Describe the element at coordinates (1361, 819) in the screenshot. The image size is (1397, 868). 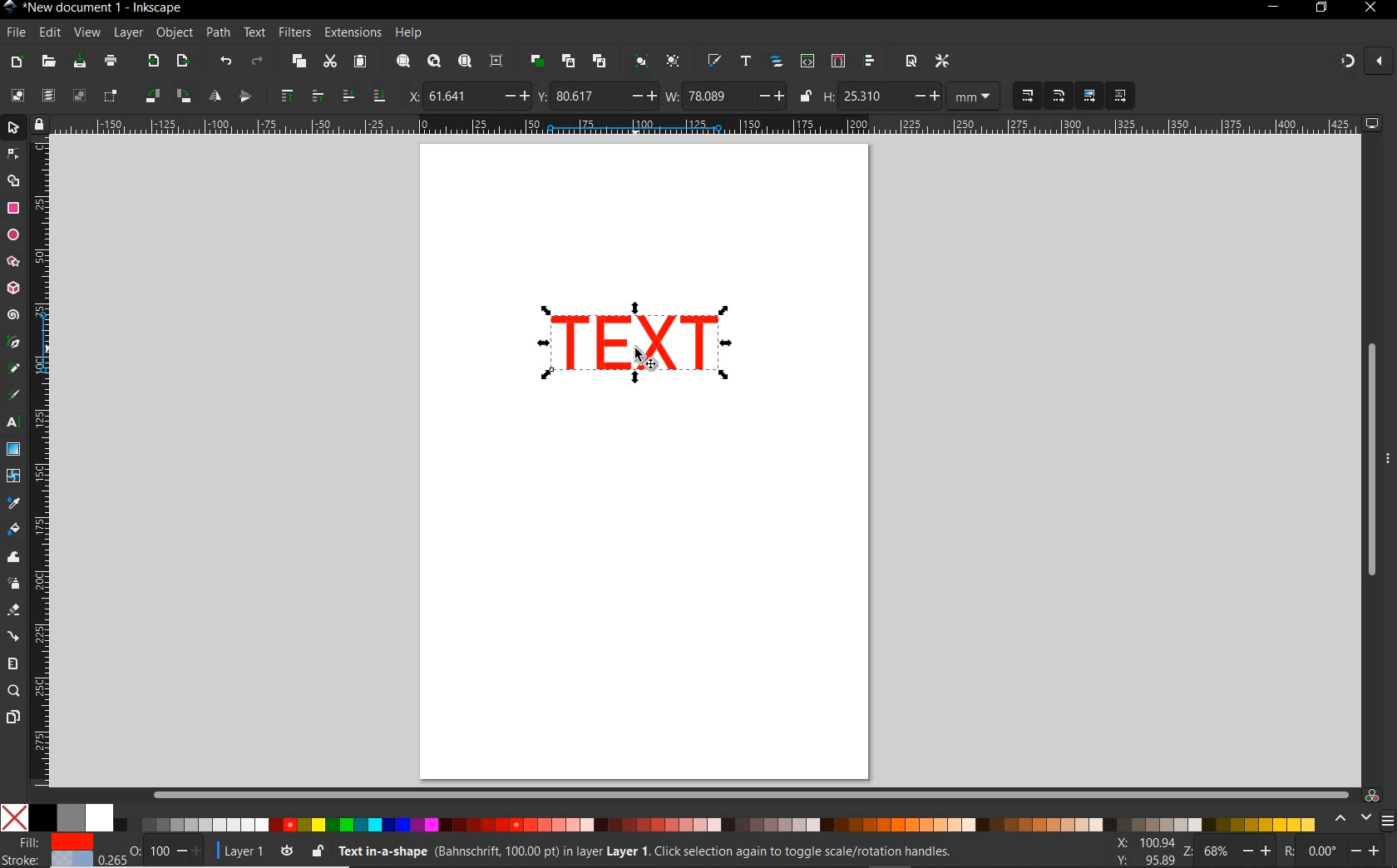
I see `select color palette` at that location.